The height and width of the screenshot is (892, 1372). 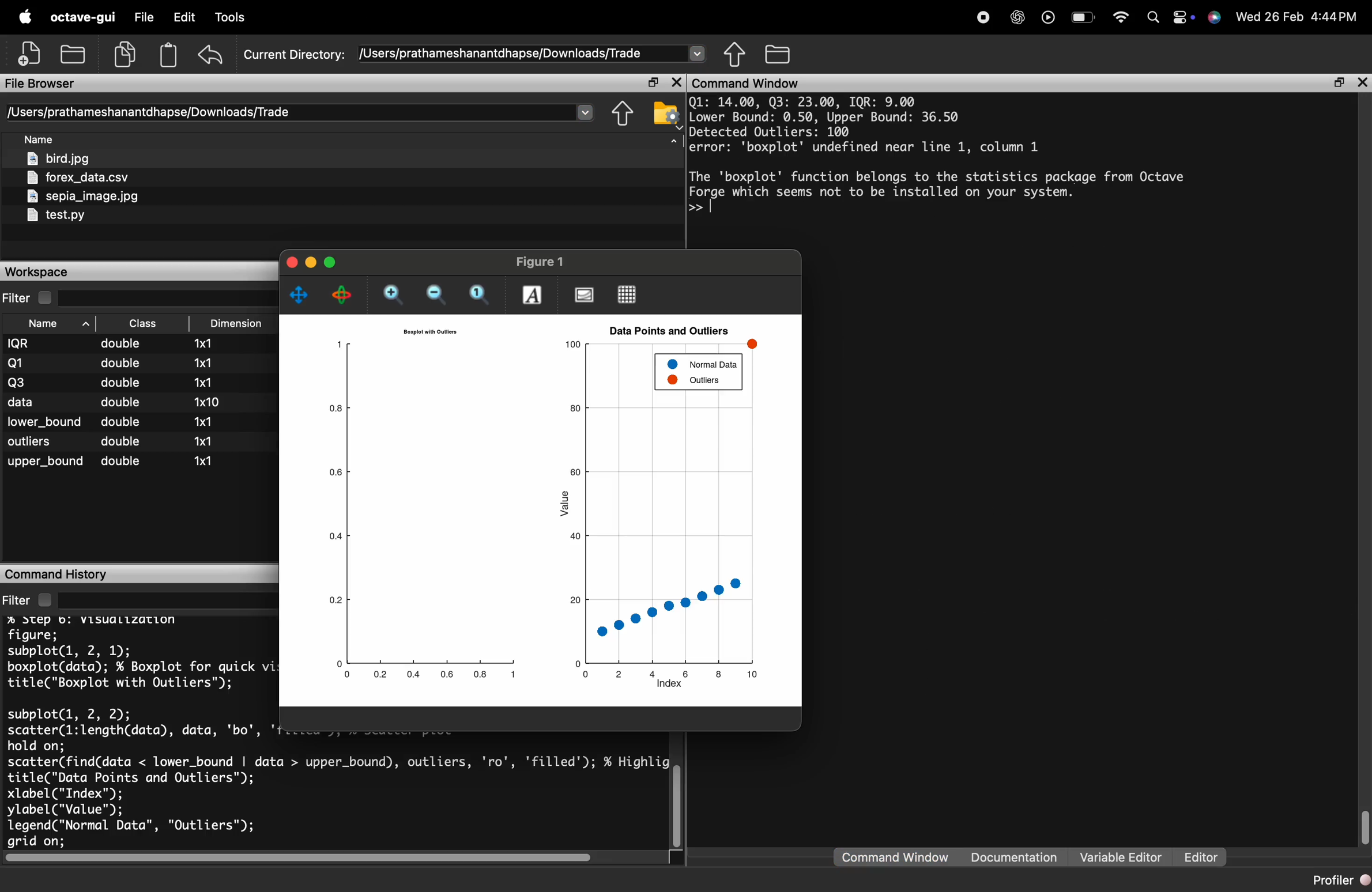 What do you see at coordinates (1215, 18) in the screenshot?
I see `support` at bounding box center [1215, 18].